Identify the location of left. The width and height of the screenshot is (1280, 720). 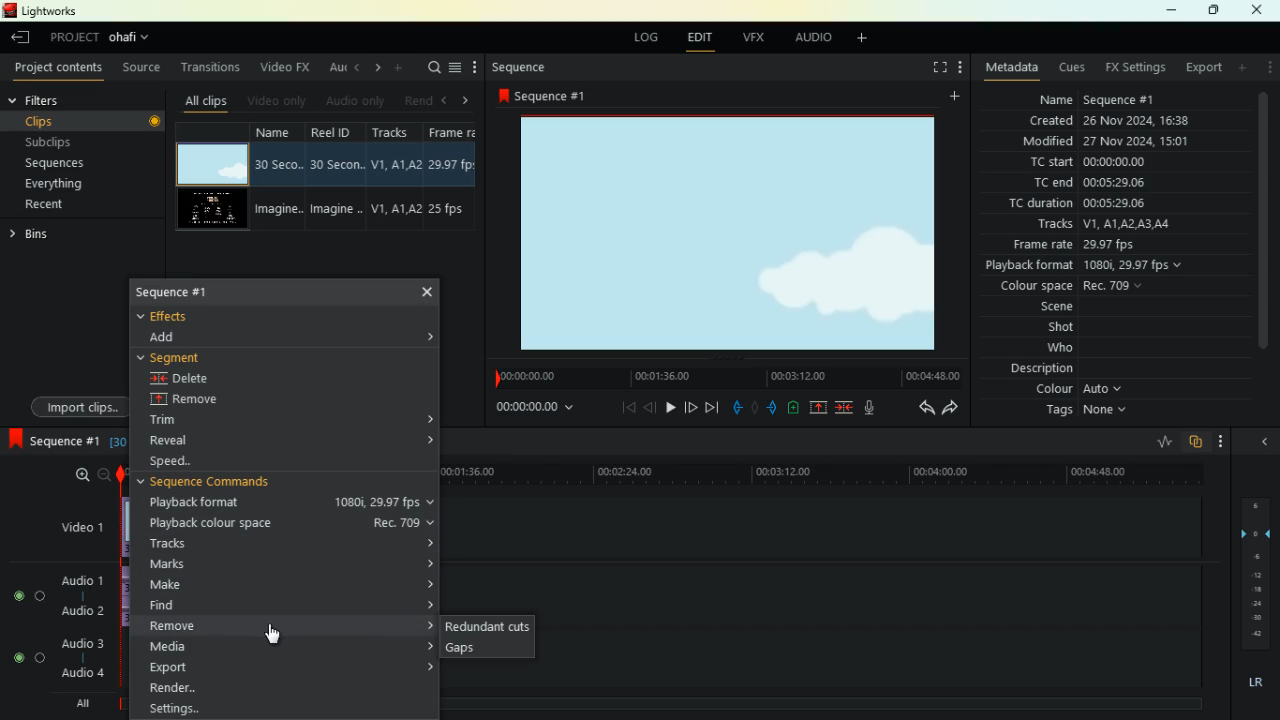
(447, 100).